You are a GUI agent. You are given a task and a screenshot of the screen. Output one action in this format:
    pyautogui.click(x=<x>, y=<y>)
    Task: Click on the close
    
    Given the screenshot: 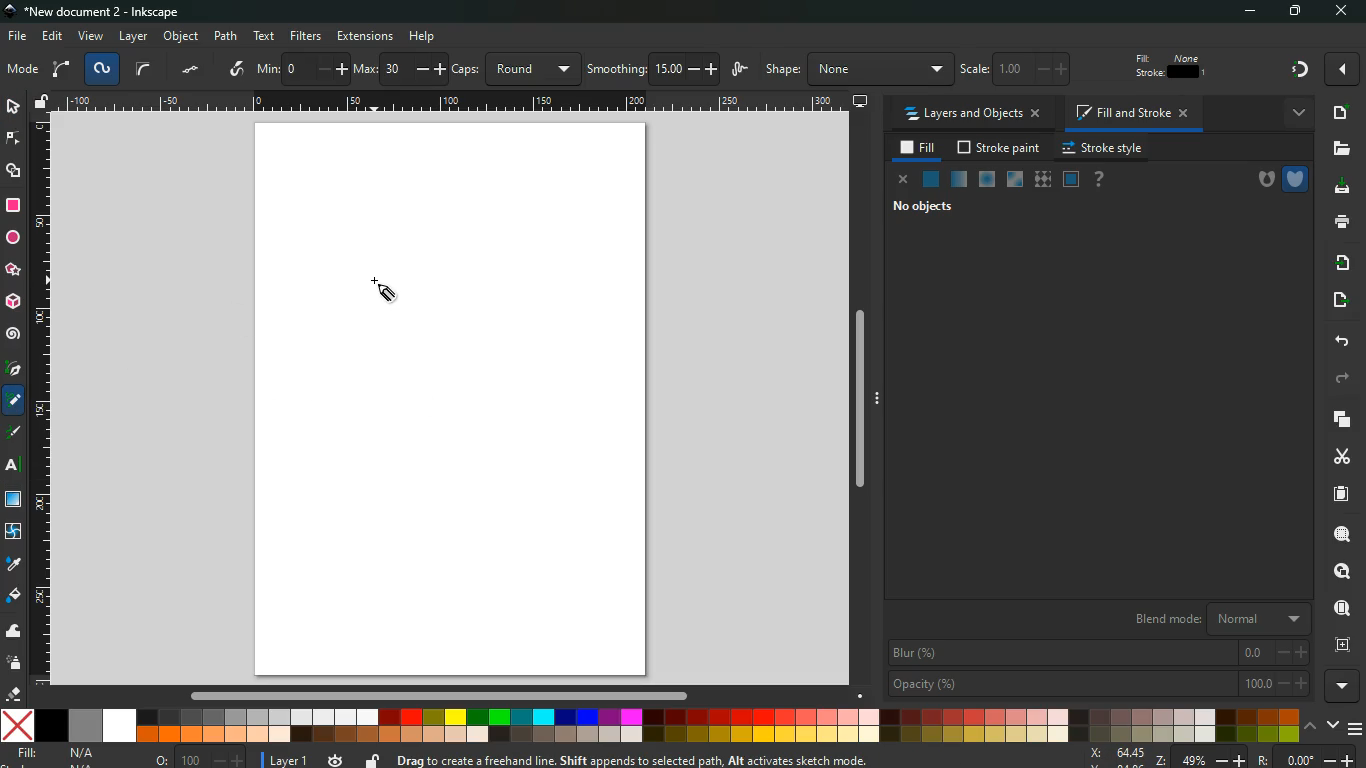 What is the action you would take?
    pyautogui.click(x=1346, y=13)
    